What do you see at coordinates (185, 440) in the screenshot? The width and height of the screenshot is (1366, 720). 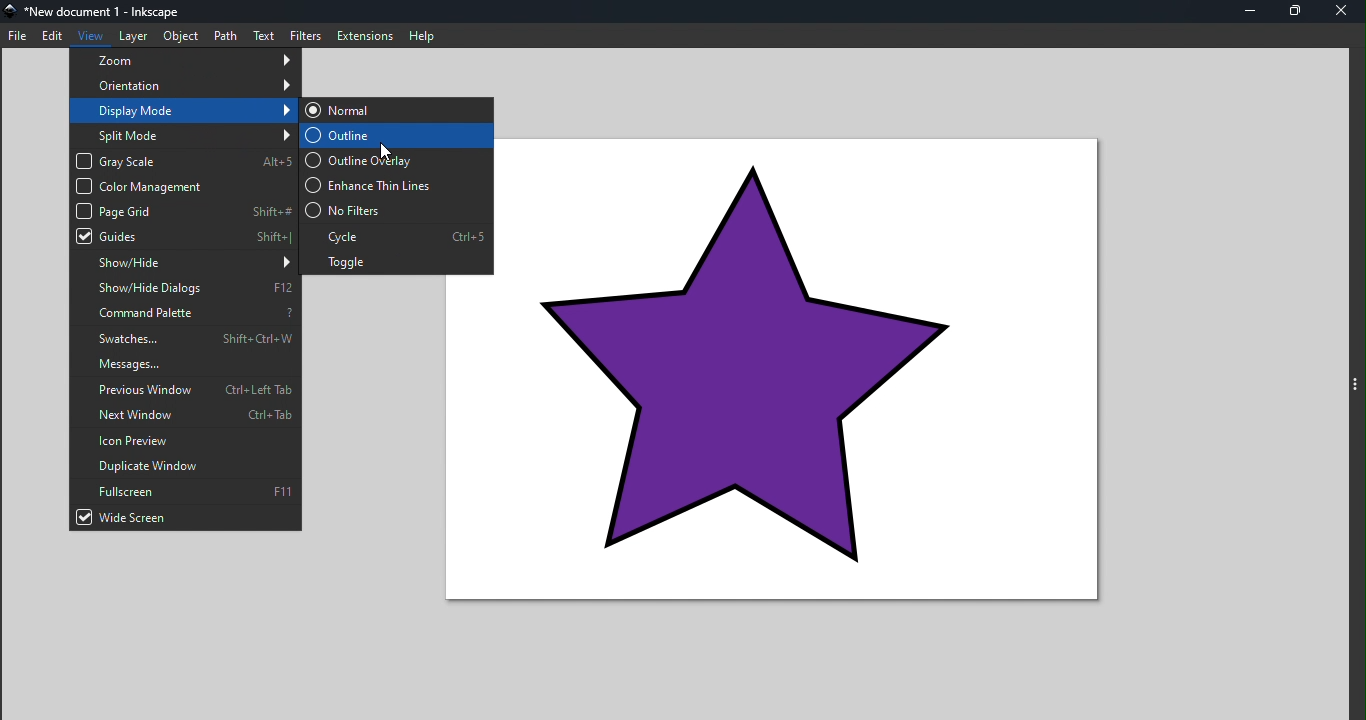 I see `Icon preview` at bounding box center [185, 440].